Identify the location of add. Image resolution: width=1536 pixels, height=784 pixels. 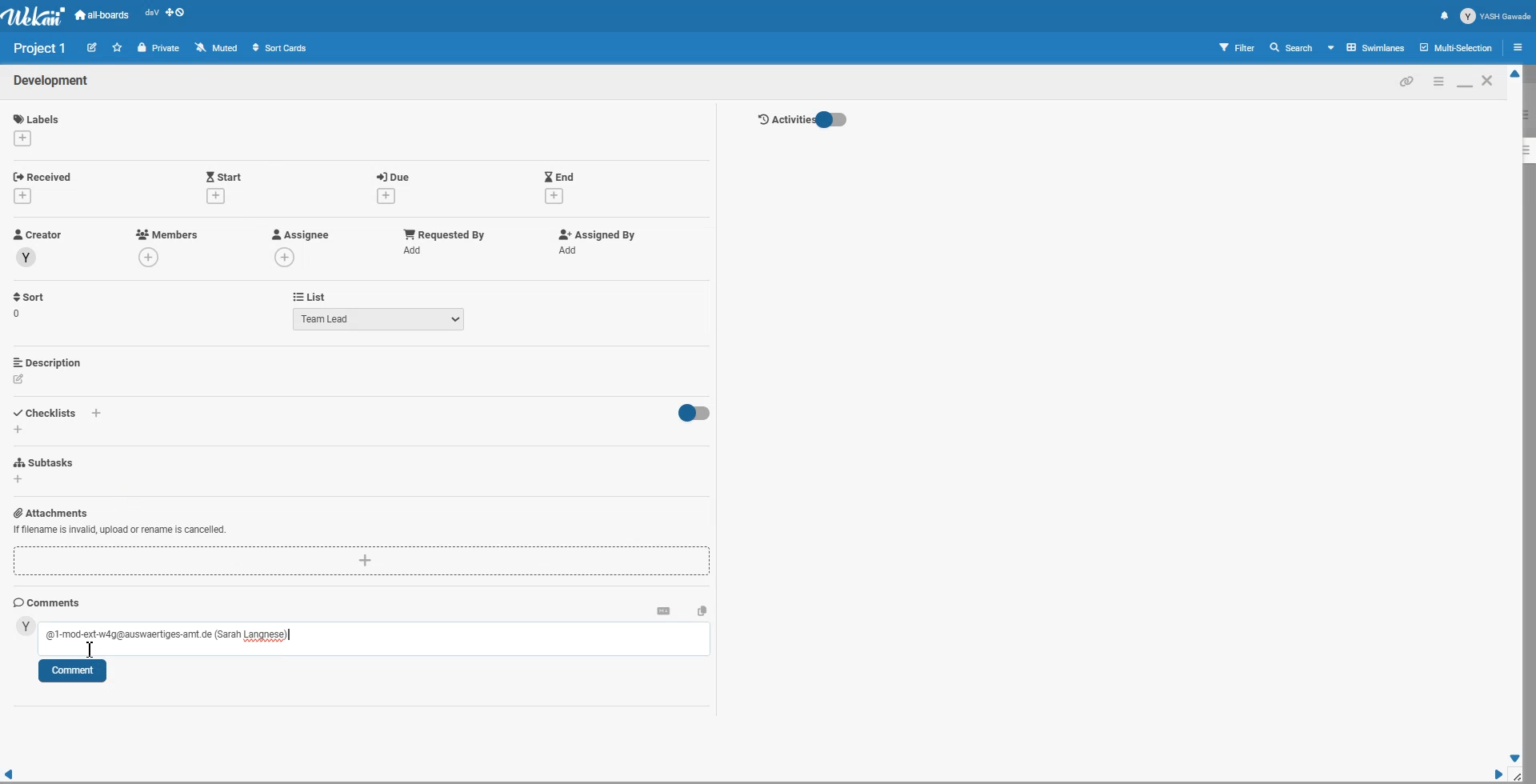
(22, 138).